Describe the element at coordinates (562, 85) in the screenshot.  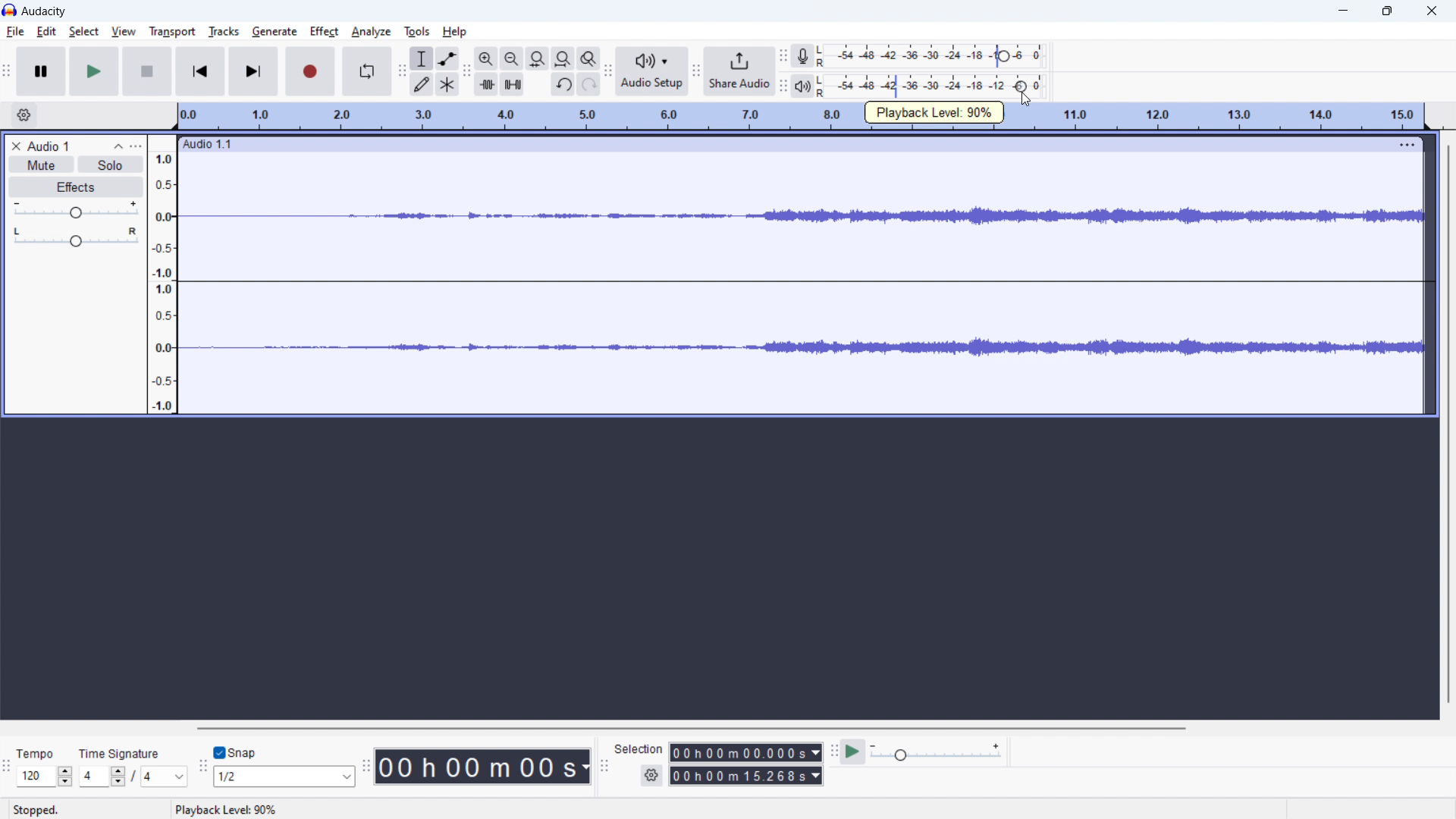
I see `undo` at that location.